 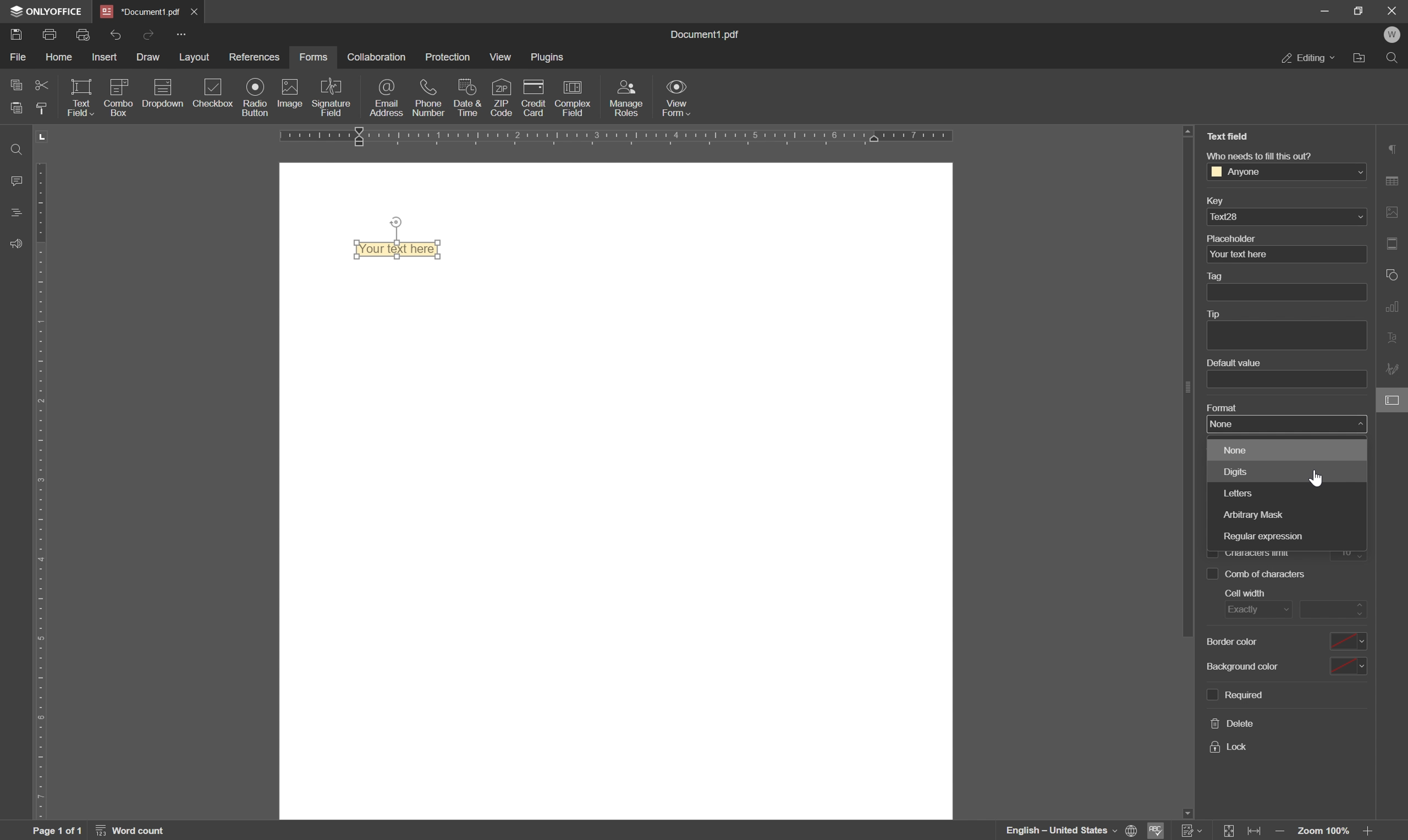 What do you see at coordinates (15, 85) in the screenshot?
I see `copy` at bounding box center [15, 85].